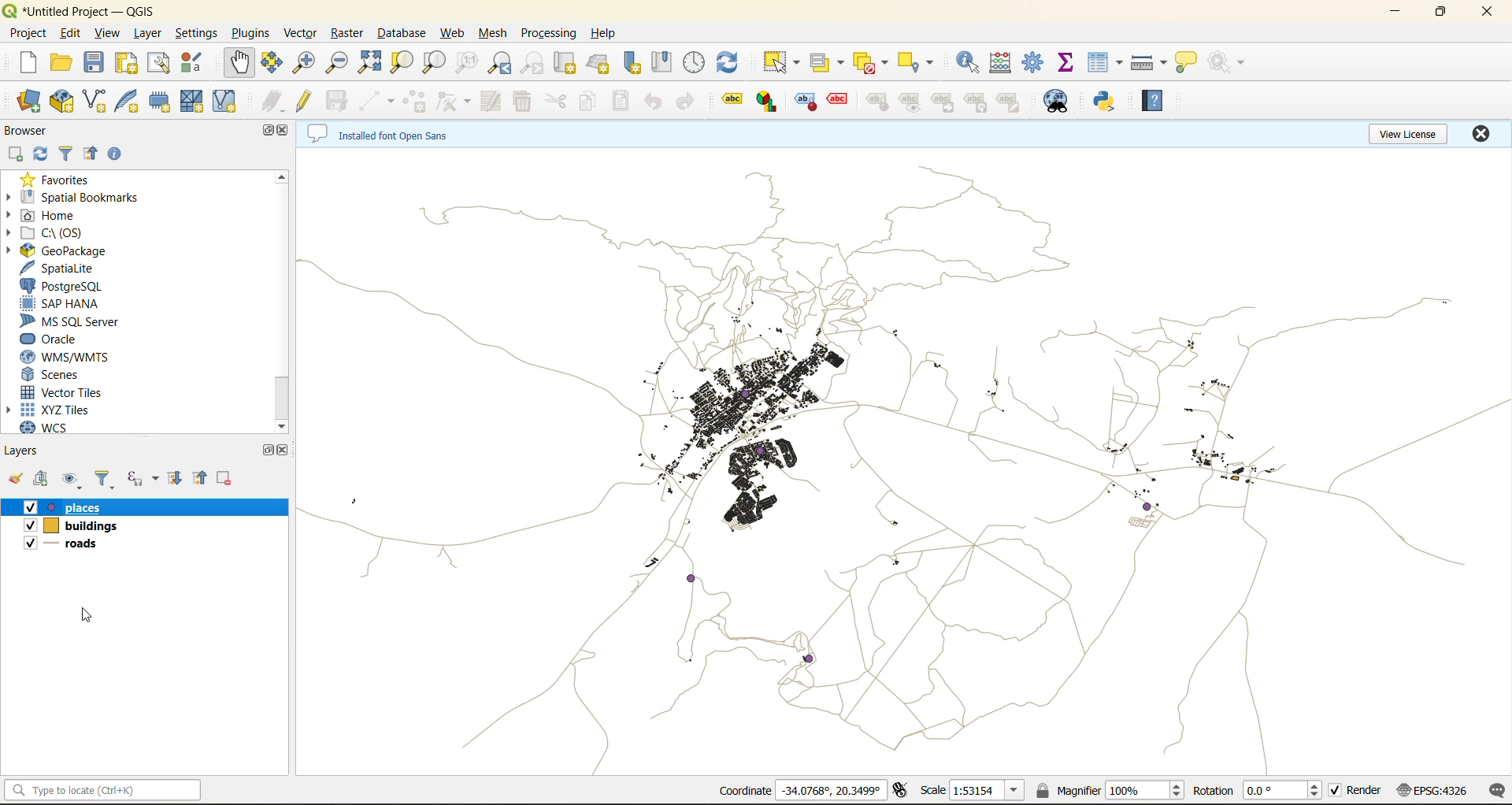 The height and width of the screenshot is (805, 1512). Describe the element at coordinates (164, 102) in the screenshot. I see `temporary scratch layer` at that location.